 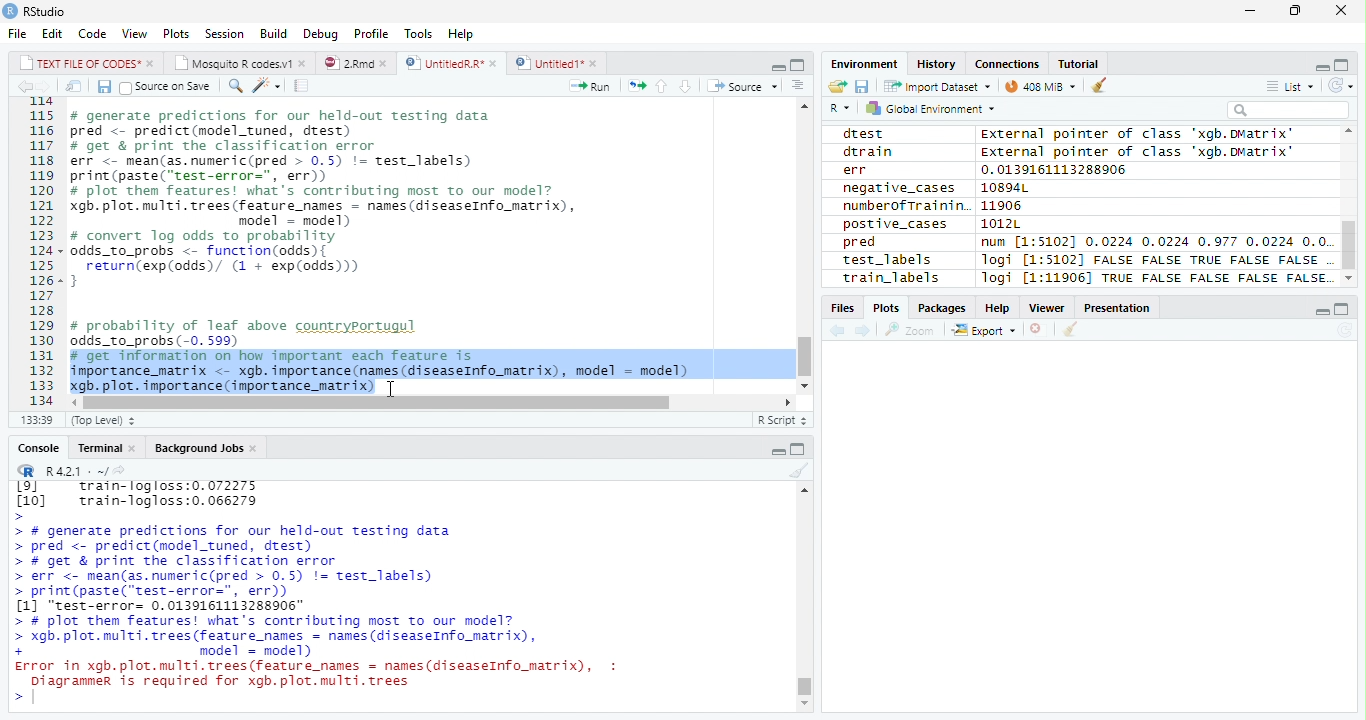 What do you see at coordinates (995, 307) in the screenshot?
I see `Help` at bounding box center [995, 307].